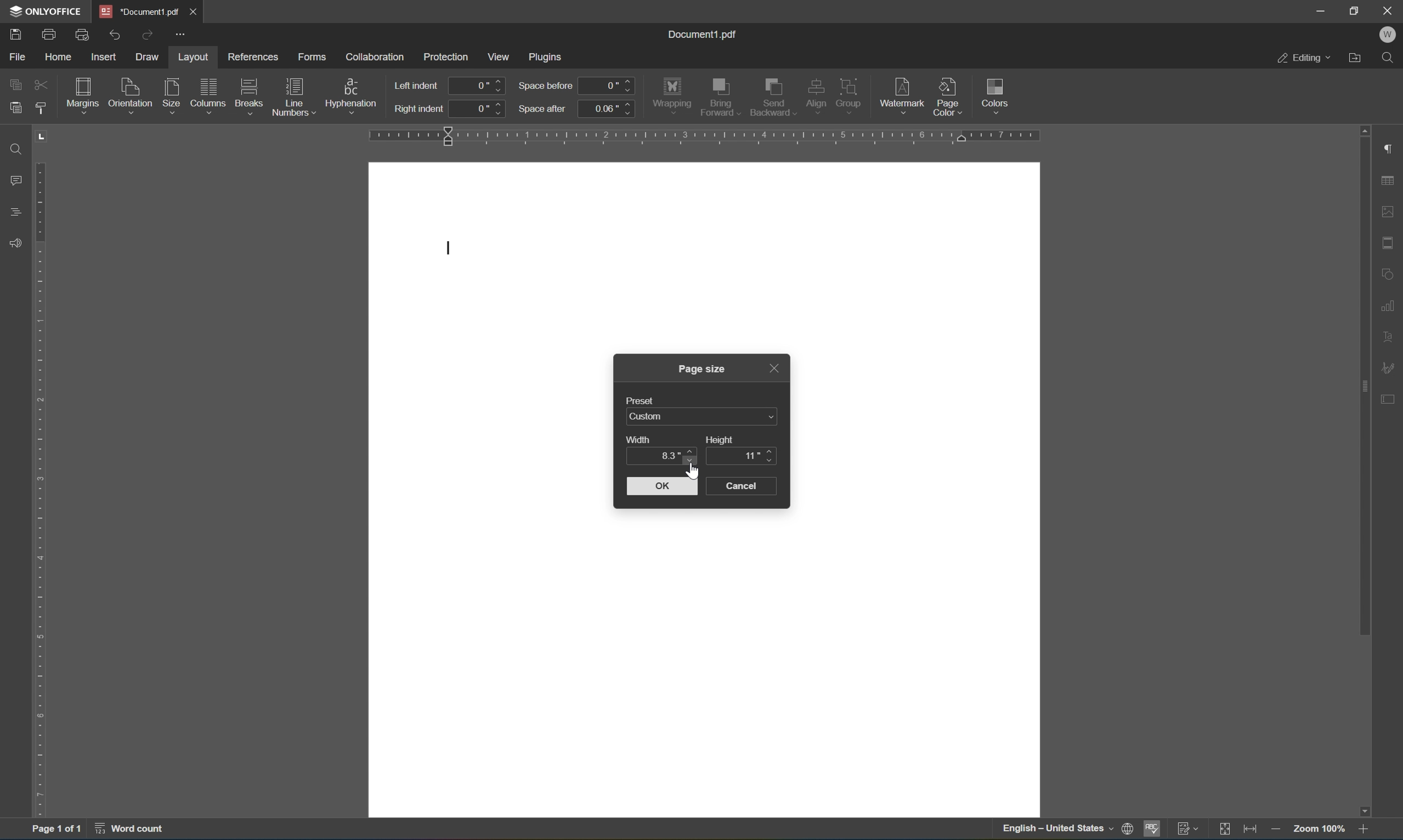 This screenshot has width=1403, height=840. I want to click on close, so click(773, 367).